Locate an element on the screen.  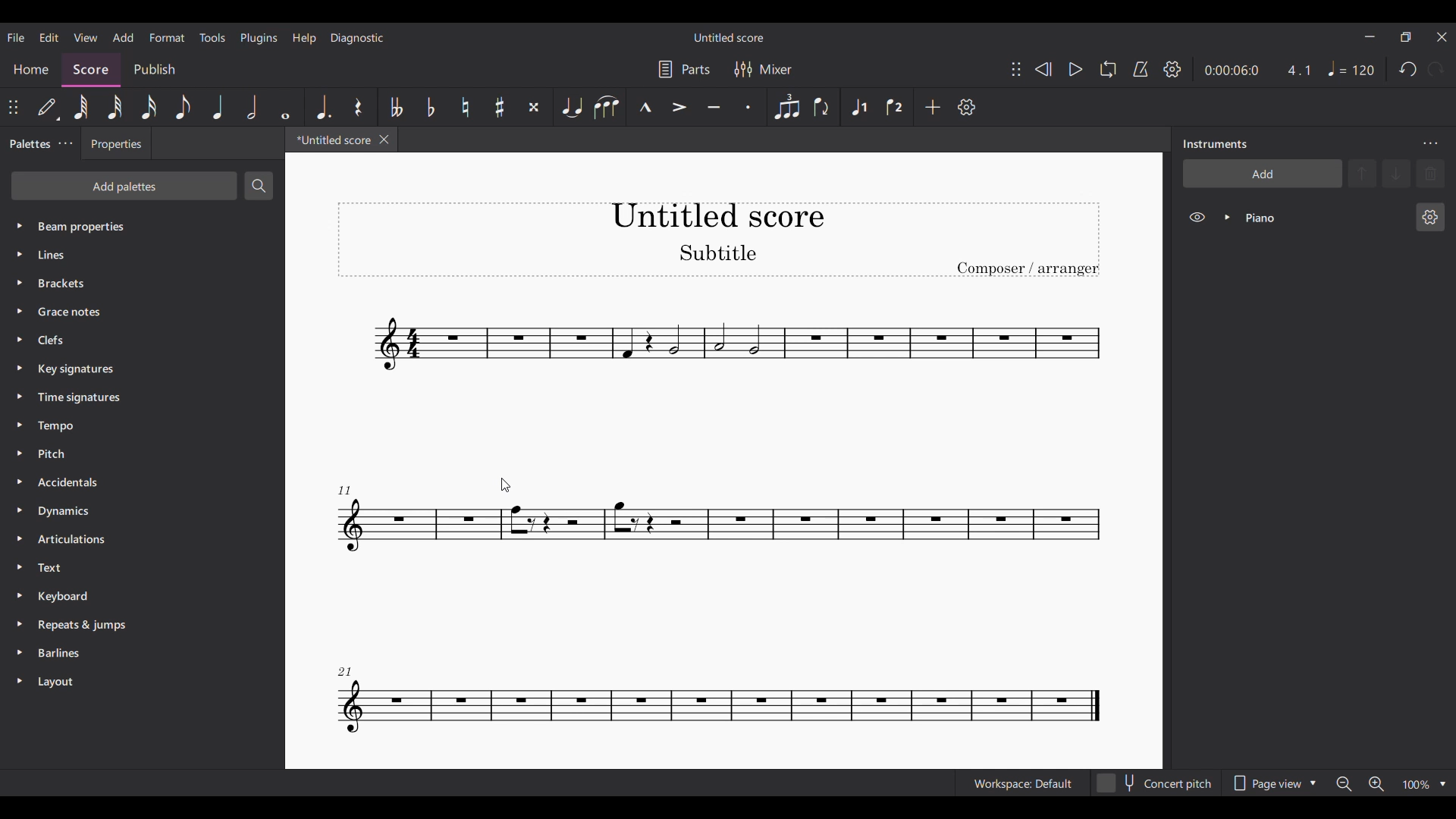
Close tab is located at coordinates (384, 140).